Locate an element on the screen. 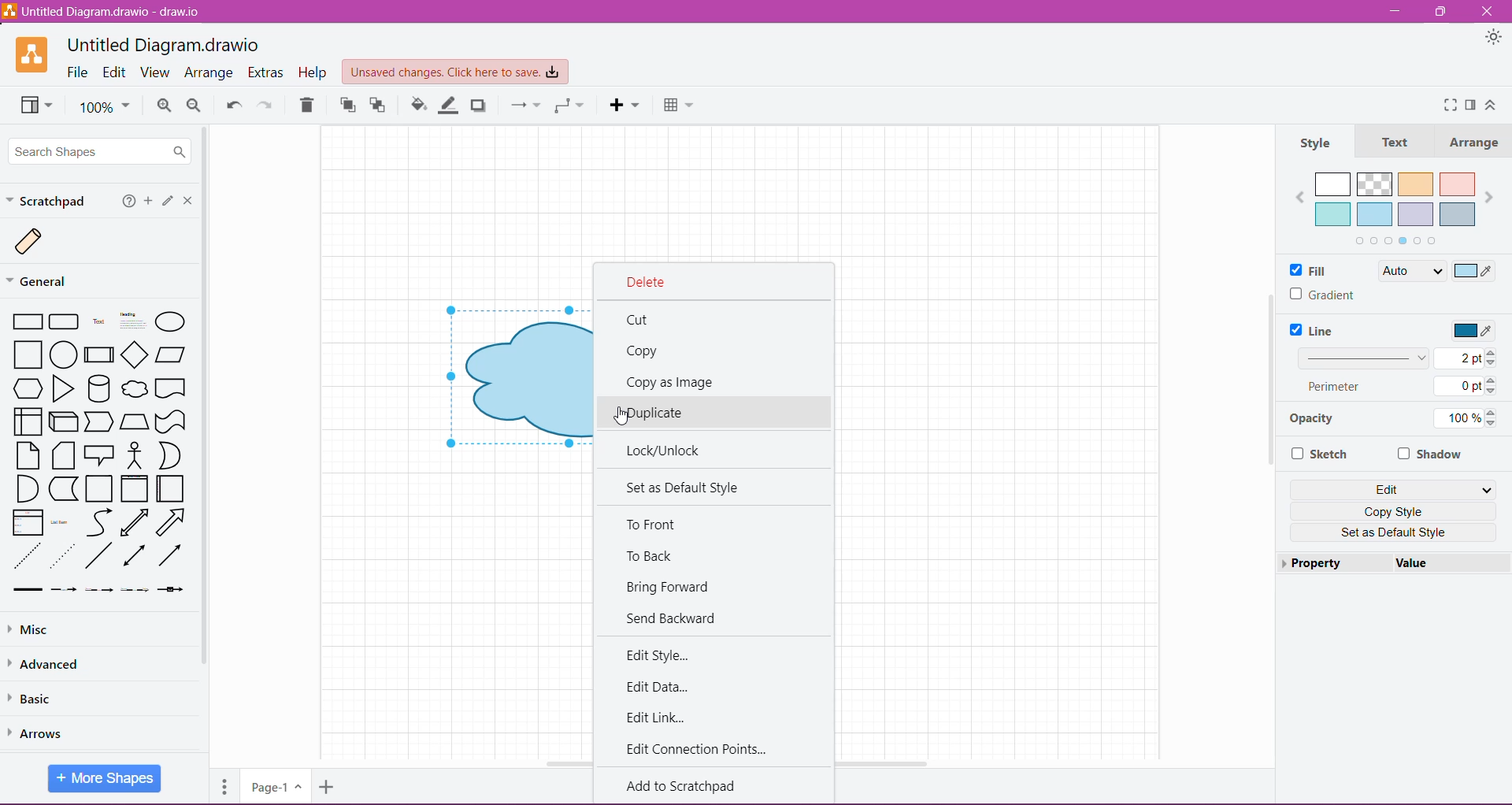  Application Logo is located at coordinates (33, 54).